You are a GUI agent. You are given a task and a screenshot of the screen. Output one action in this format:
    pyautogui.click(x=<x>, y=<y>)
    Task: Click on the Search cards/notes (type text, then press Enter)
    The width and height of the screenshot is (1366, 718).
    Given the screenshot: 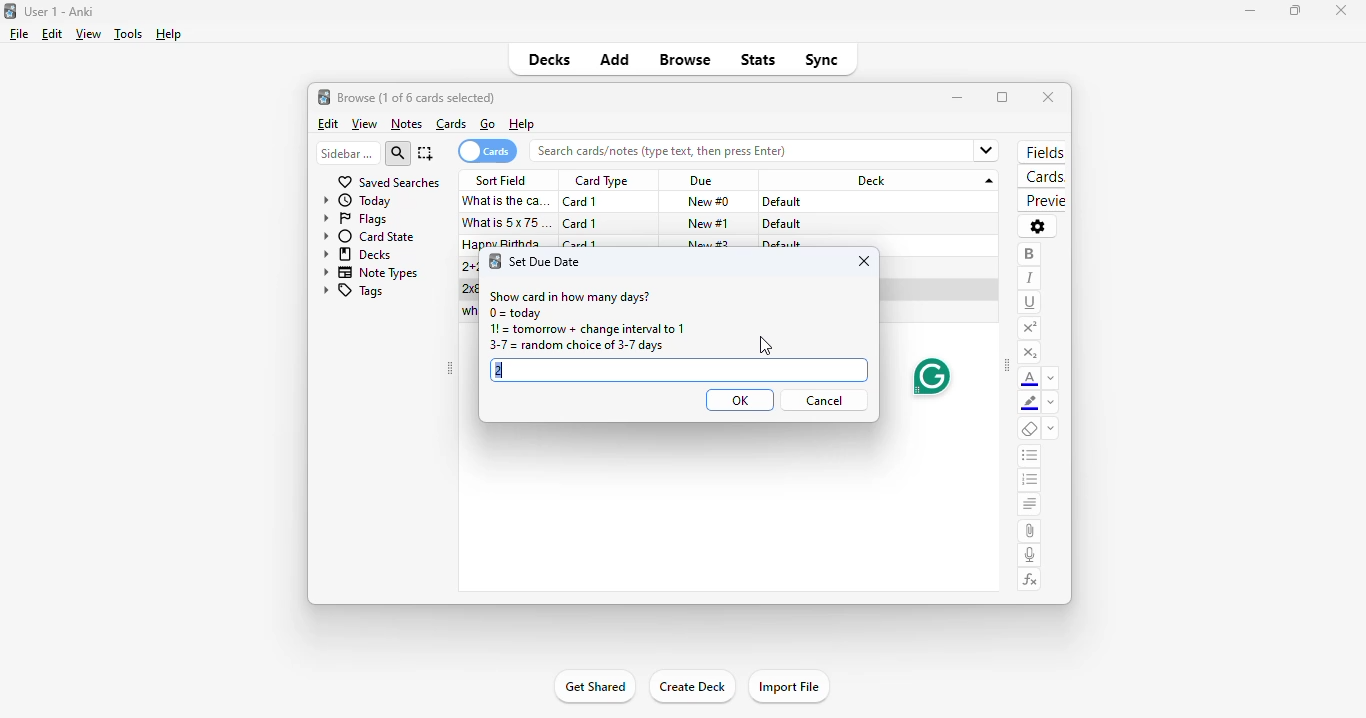 What is the action you would take?
    pyautogui.click(x=770, y=151)
    